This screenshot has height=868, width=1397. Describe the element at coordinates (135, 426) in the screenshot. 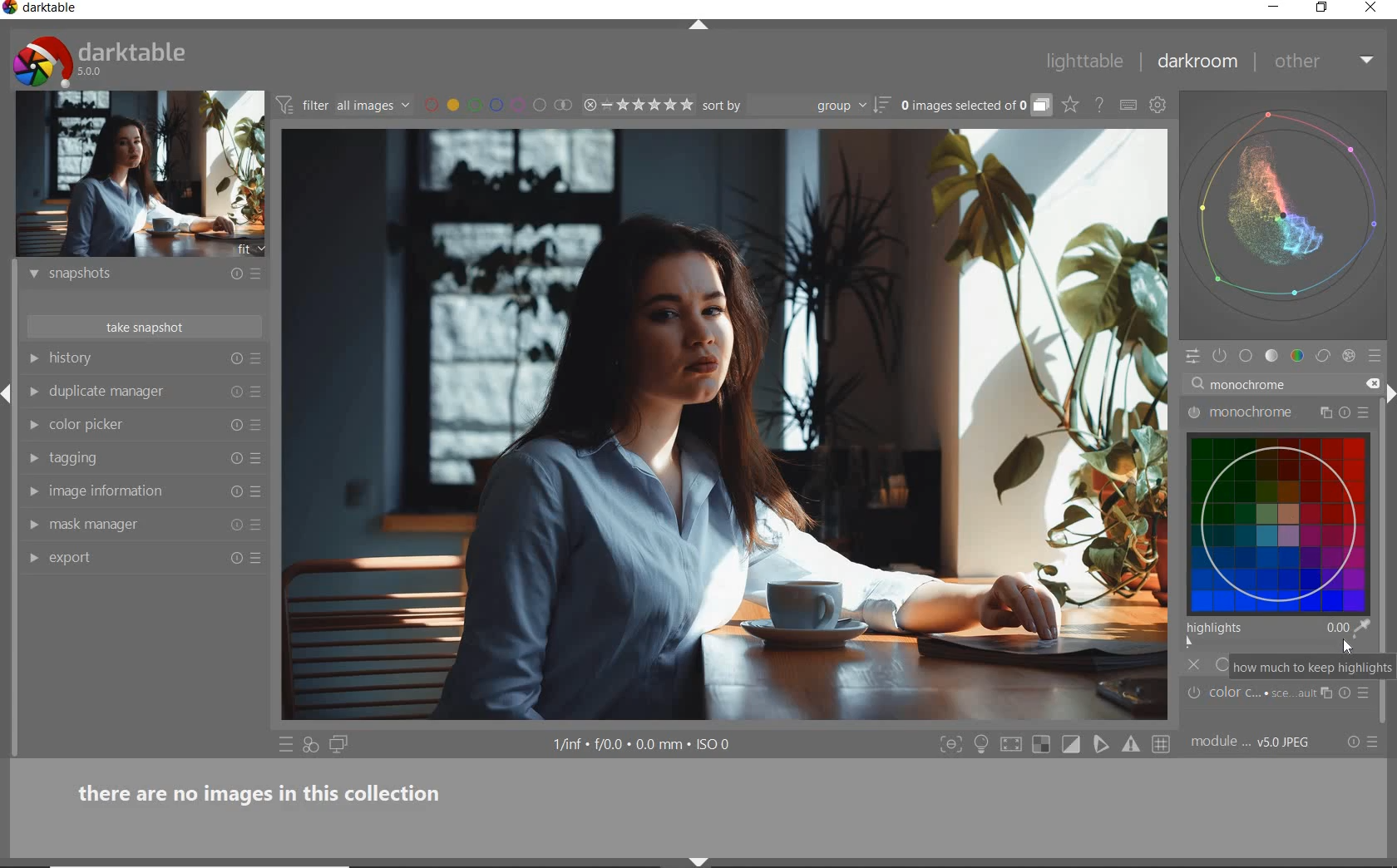

I see `color picker` at that location.